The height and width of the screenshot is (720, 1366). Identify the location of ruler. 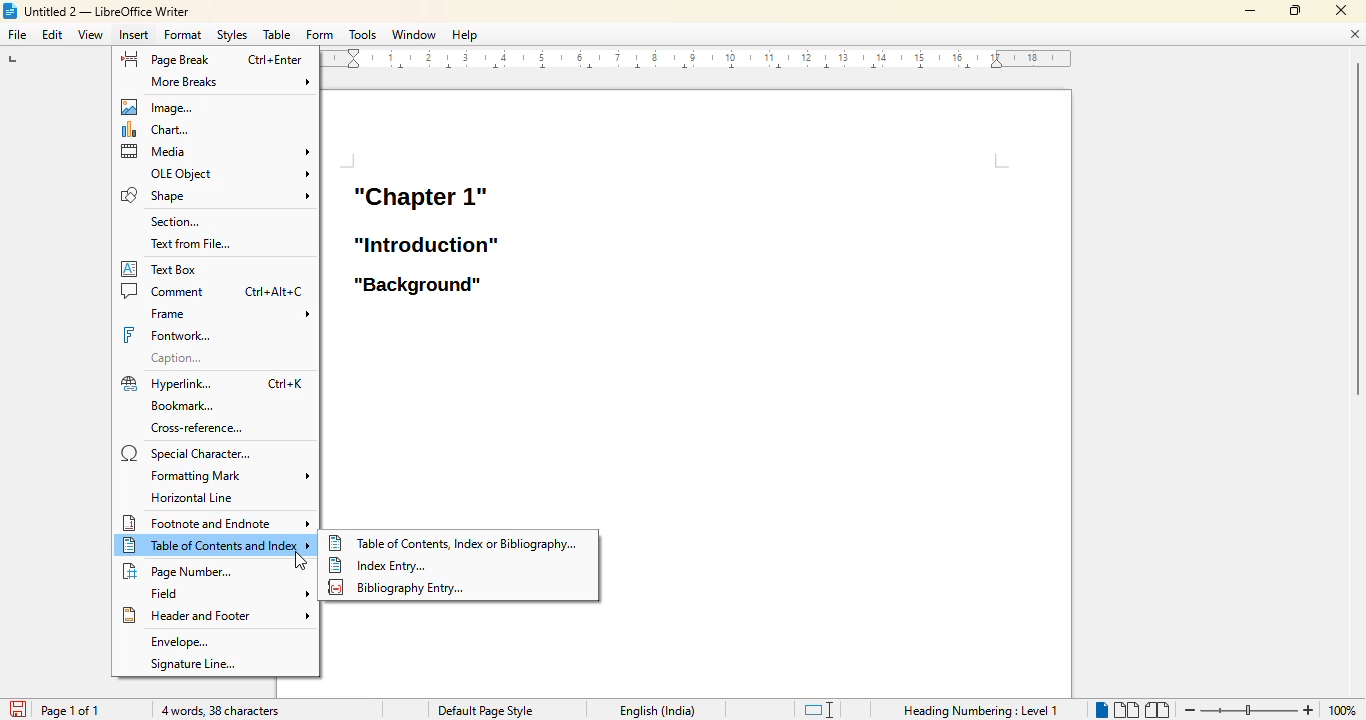
(697, 59).